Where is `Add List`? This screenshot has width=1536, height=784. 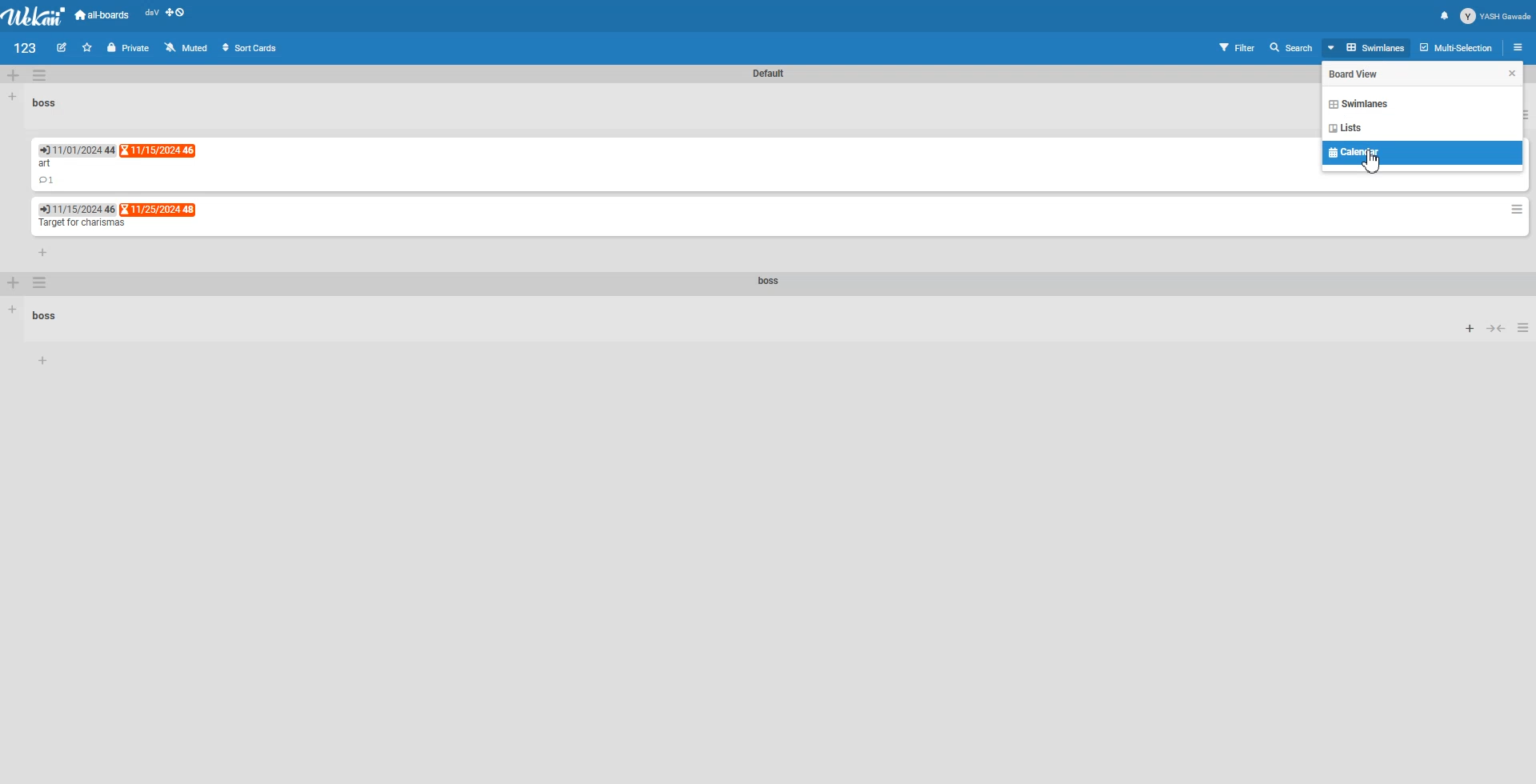
Add List is located at coordinates (13, 96).